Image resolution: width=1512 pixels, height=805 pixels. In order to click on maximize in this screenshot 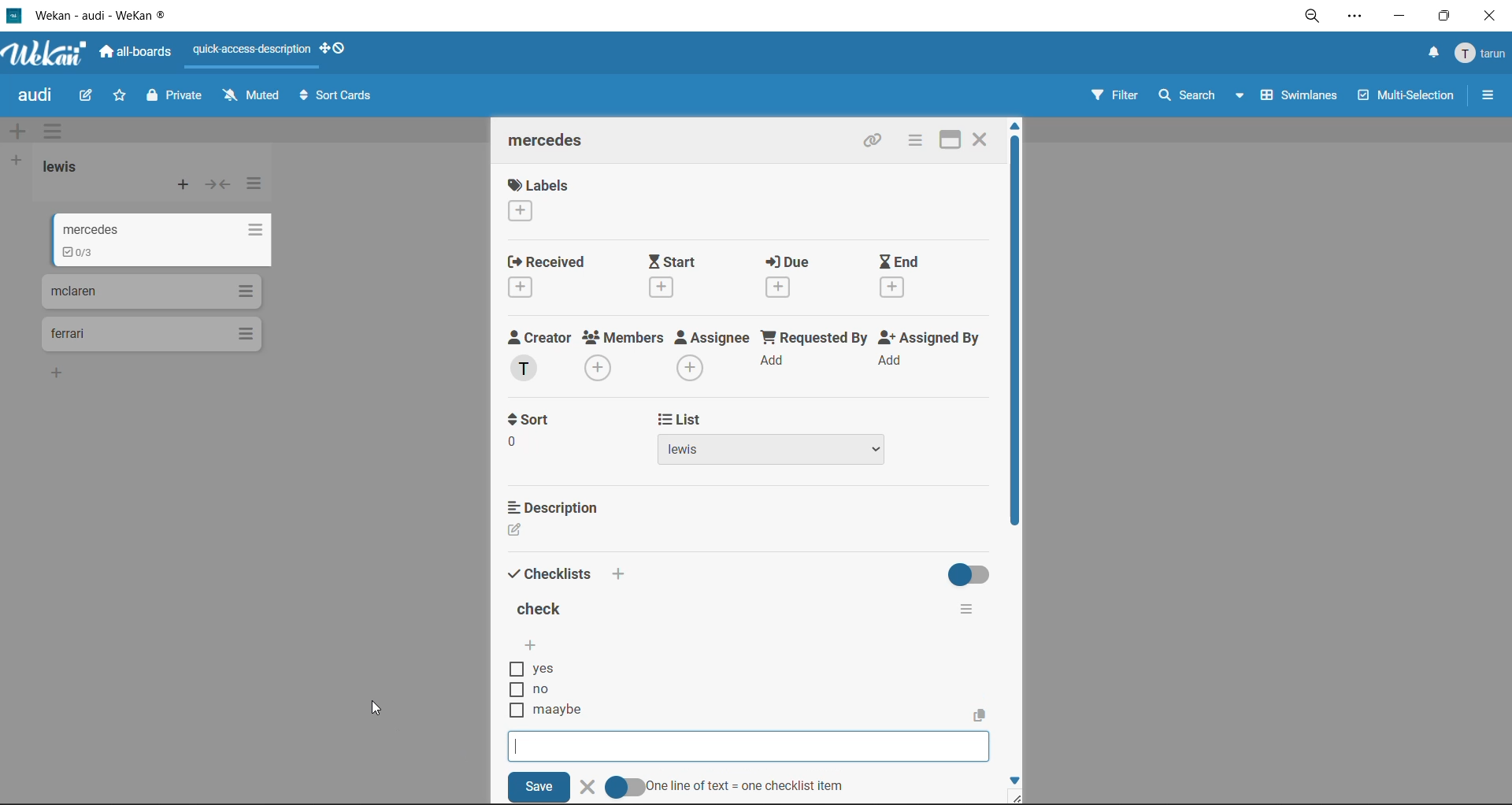, I will do `click(1444, 17)`.